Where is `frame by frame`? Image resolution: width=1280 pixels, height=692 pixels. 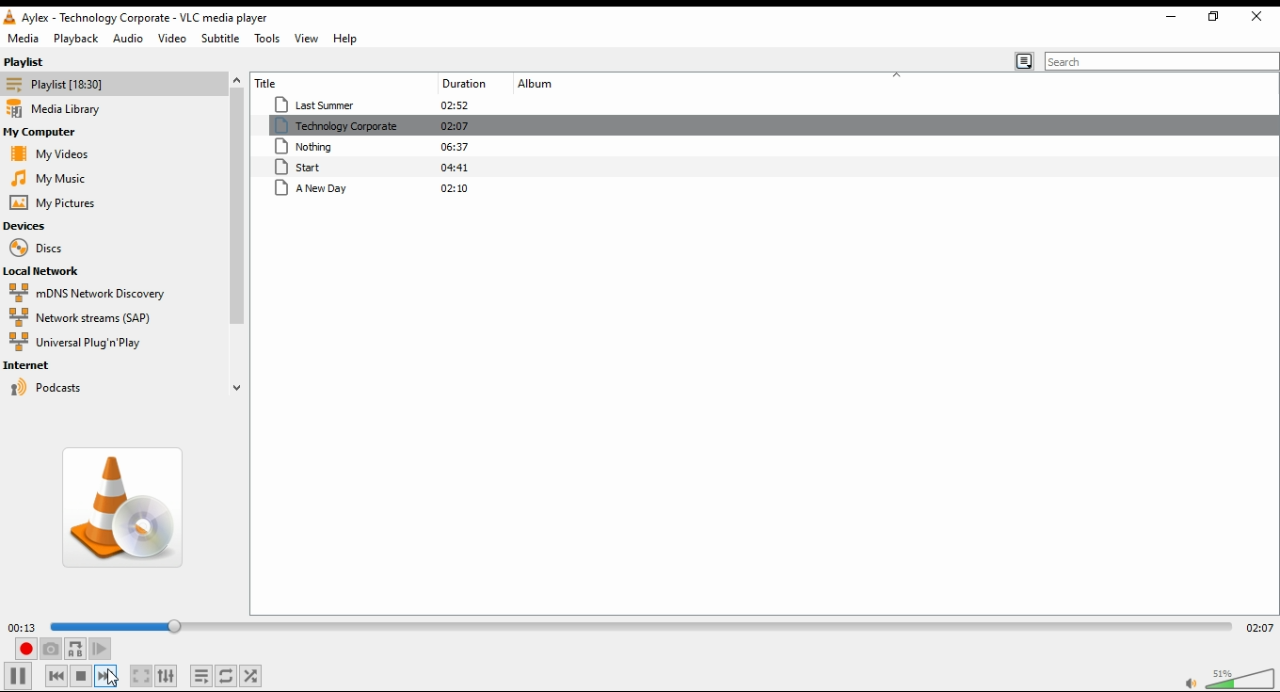 frame by frame is located at coordinates (103, 648).